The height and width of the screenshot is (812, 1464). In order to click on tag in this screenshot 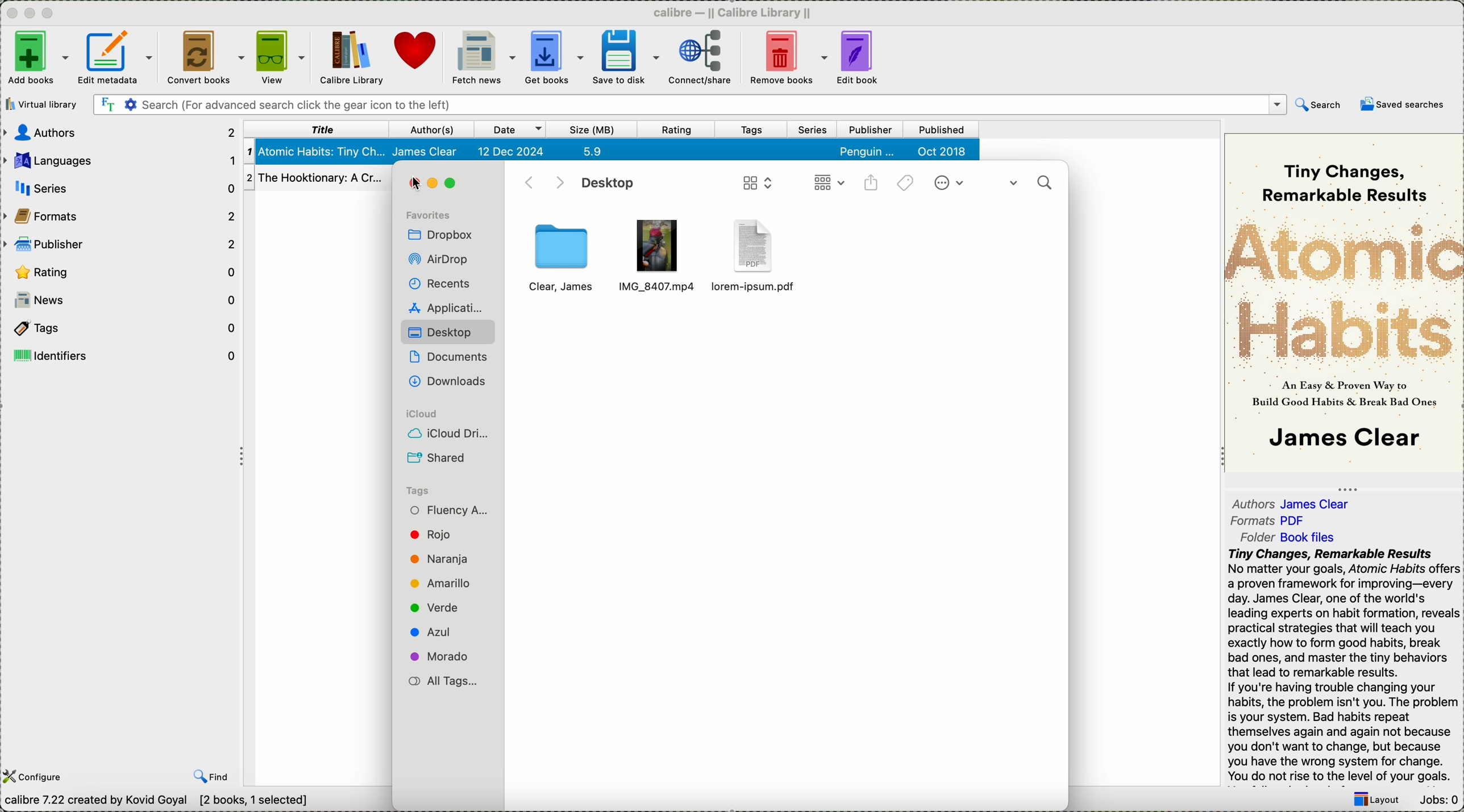, I will do `click(438, 488)`.